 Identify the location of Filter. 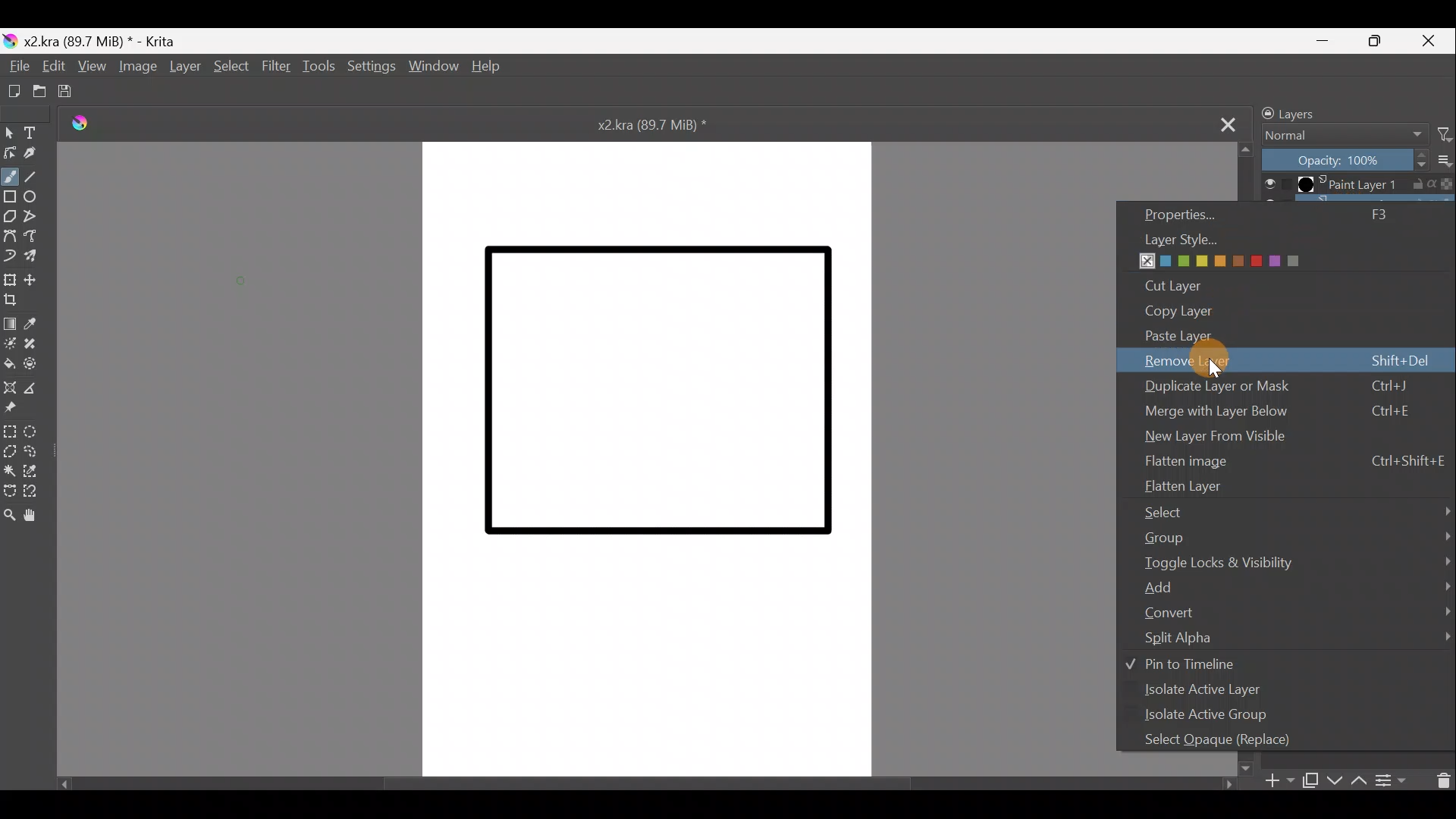
(274, 65).